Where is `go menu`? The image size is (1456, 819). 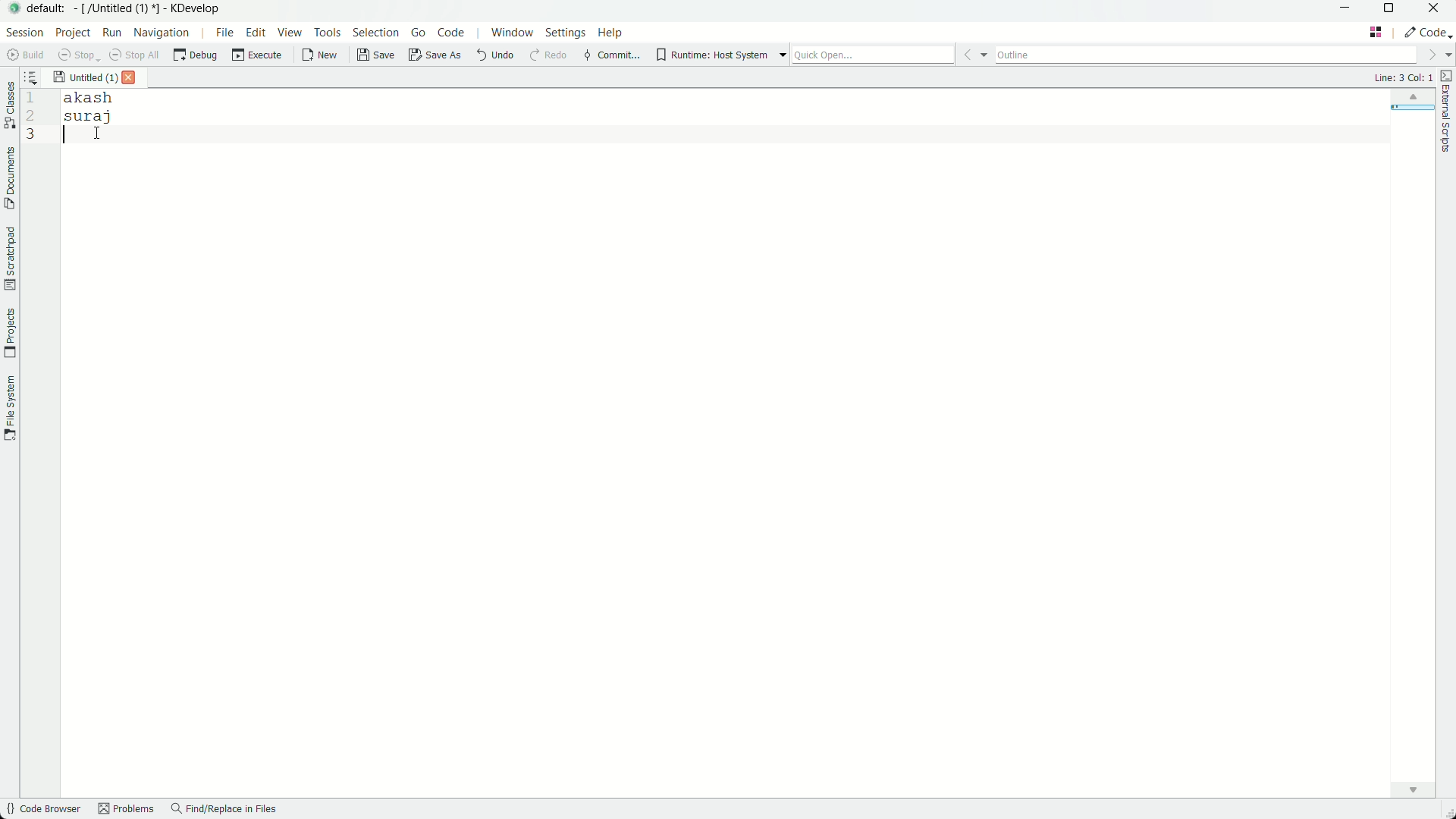
go menu is located at coordinates (417, 33).